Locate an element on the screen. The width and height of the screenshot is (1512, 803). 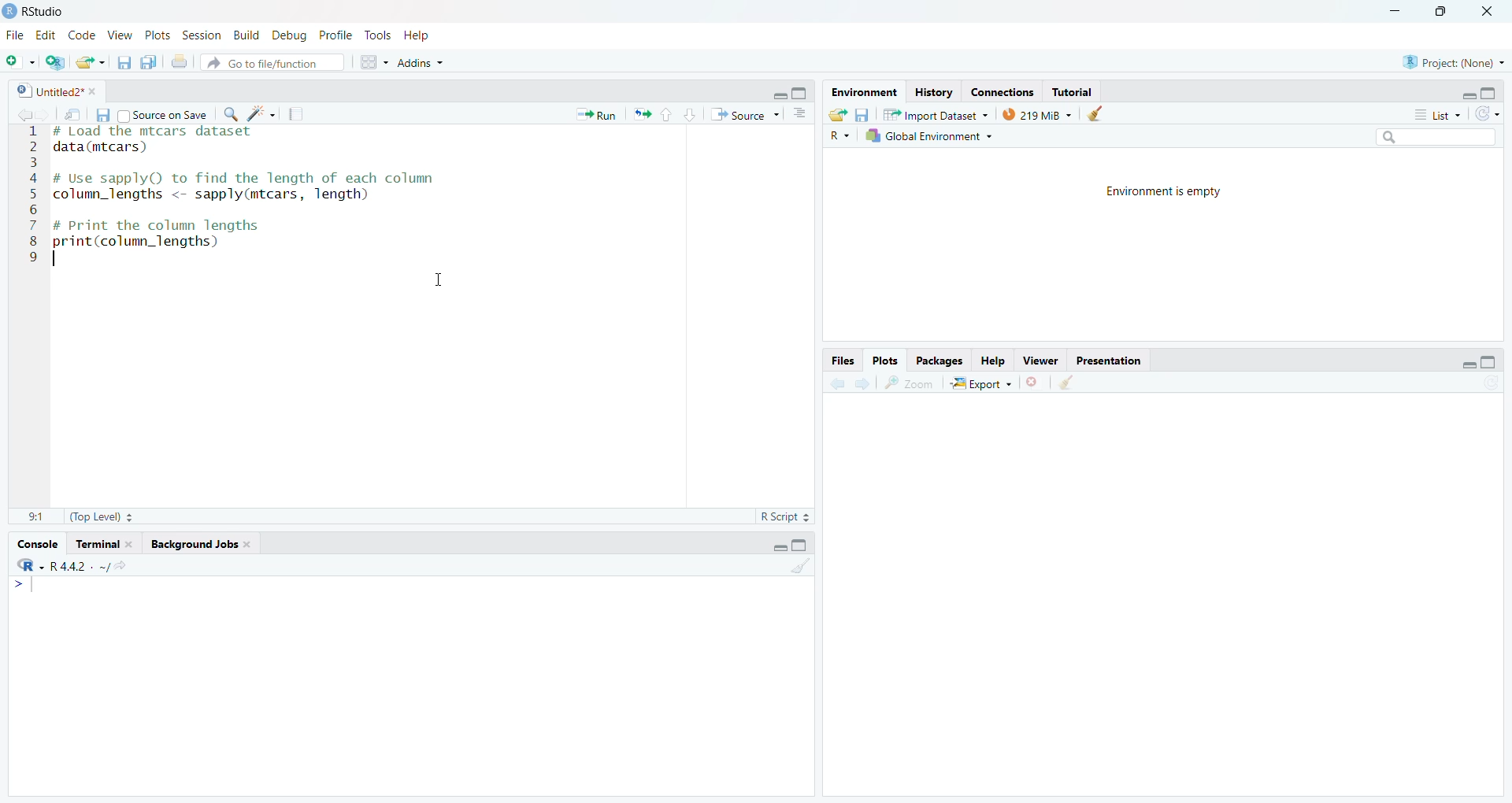
Project: (None) is located at coordinates (1452, 61).